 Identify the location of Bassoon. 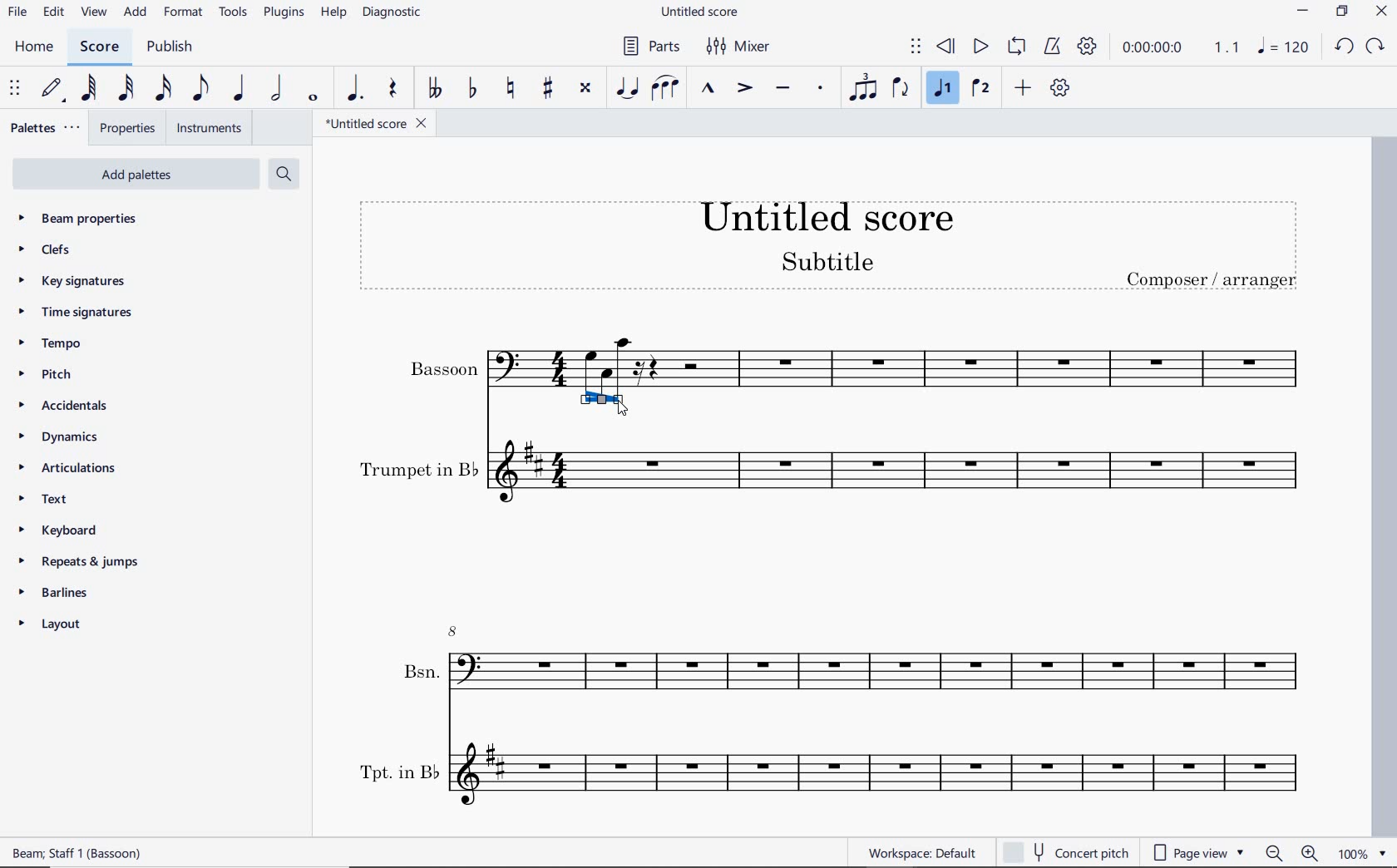
(838, 362).